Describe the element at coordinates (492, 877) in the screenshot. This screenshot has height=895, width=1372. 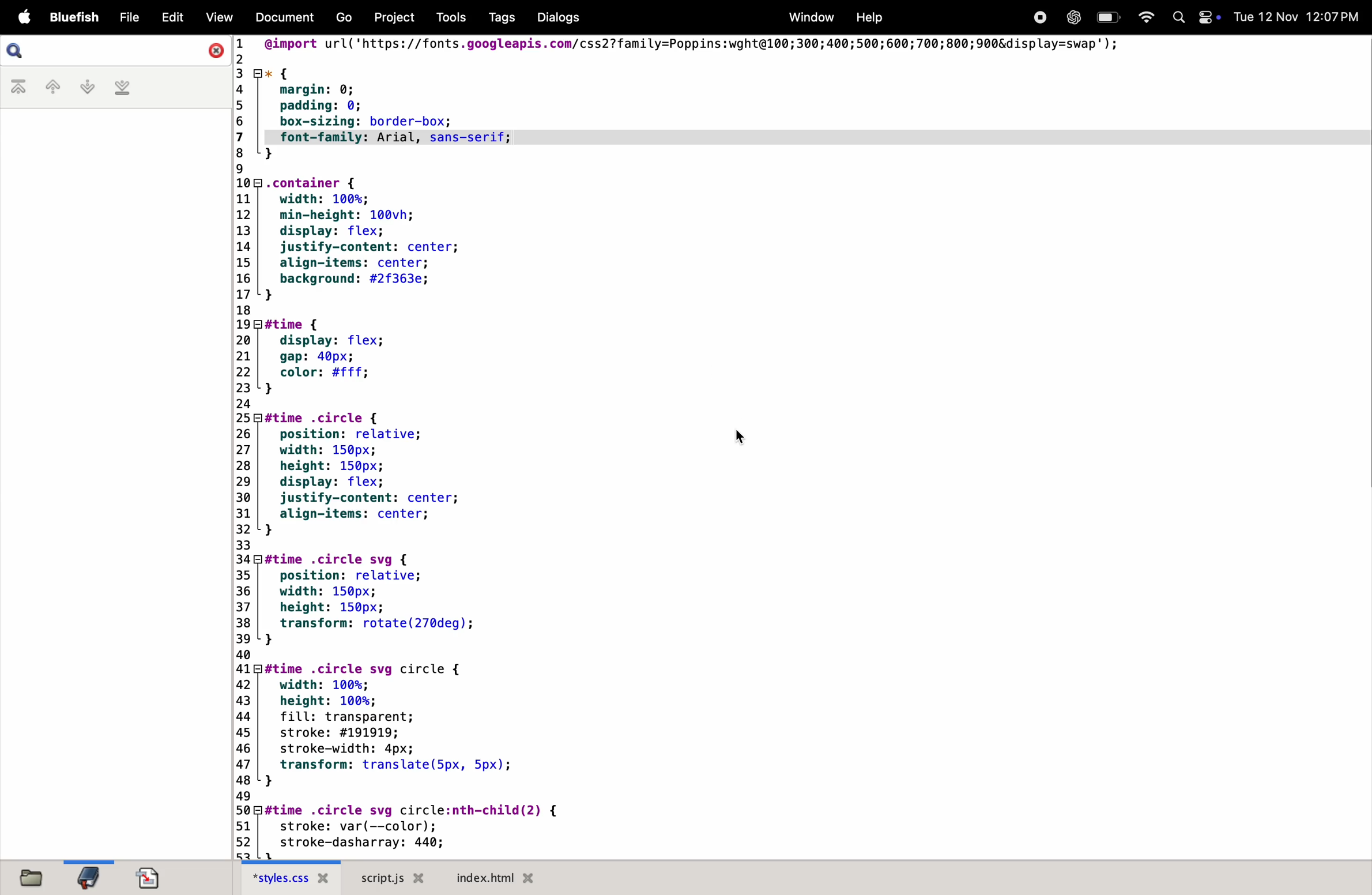
I see `index.html` at that location.